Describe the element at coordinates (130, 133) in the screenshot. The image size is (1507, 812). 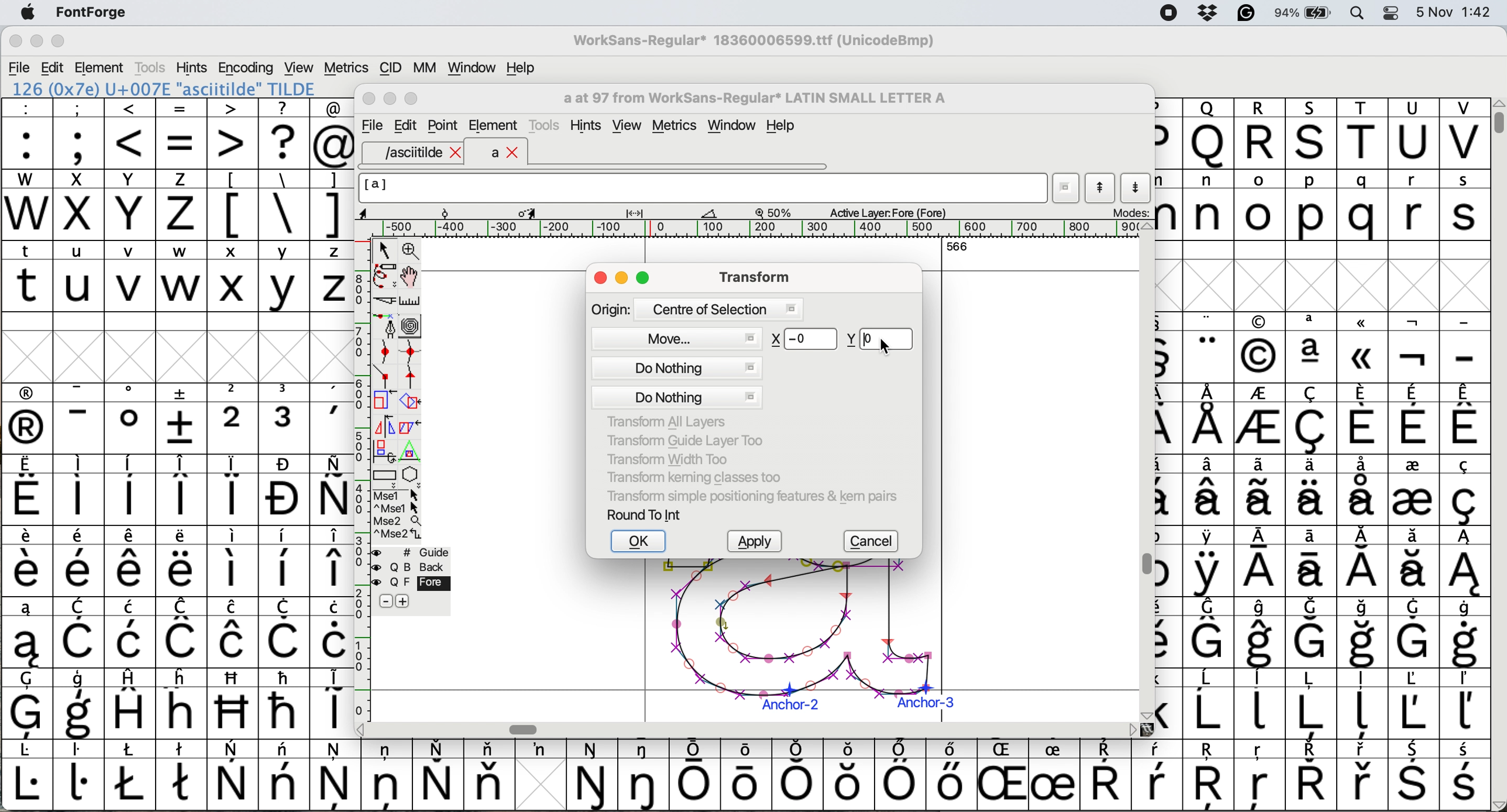
I see `<` at that location.